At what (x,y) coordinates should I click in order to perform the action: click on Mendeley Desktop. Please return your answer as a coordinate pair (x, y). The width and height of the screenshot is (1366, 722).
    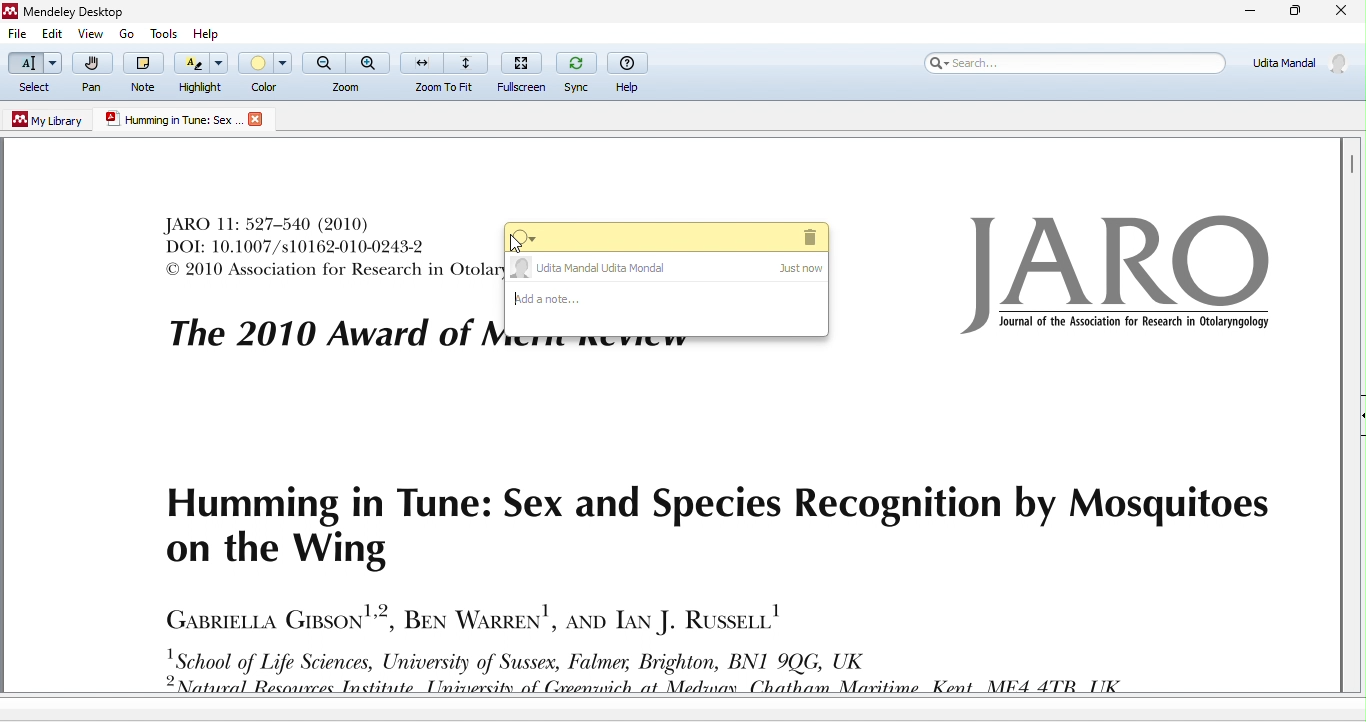
    Looking at the image, I should click on (90, 11).